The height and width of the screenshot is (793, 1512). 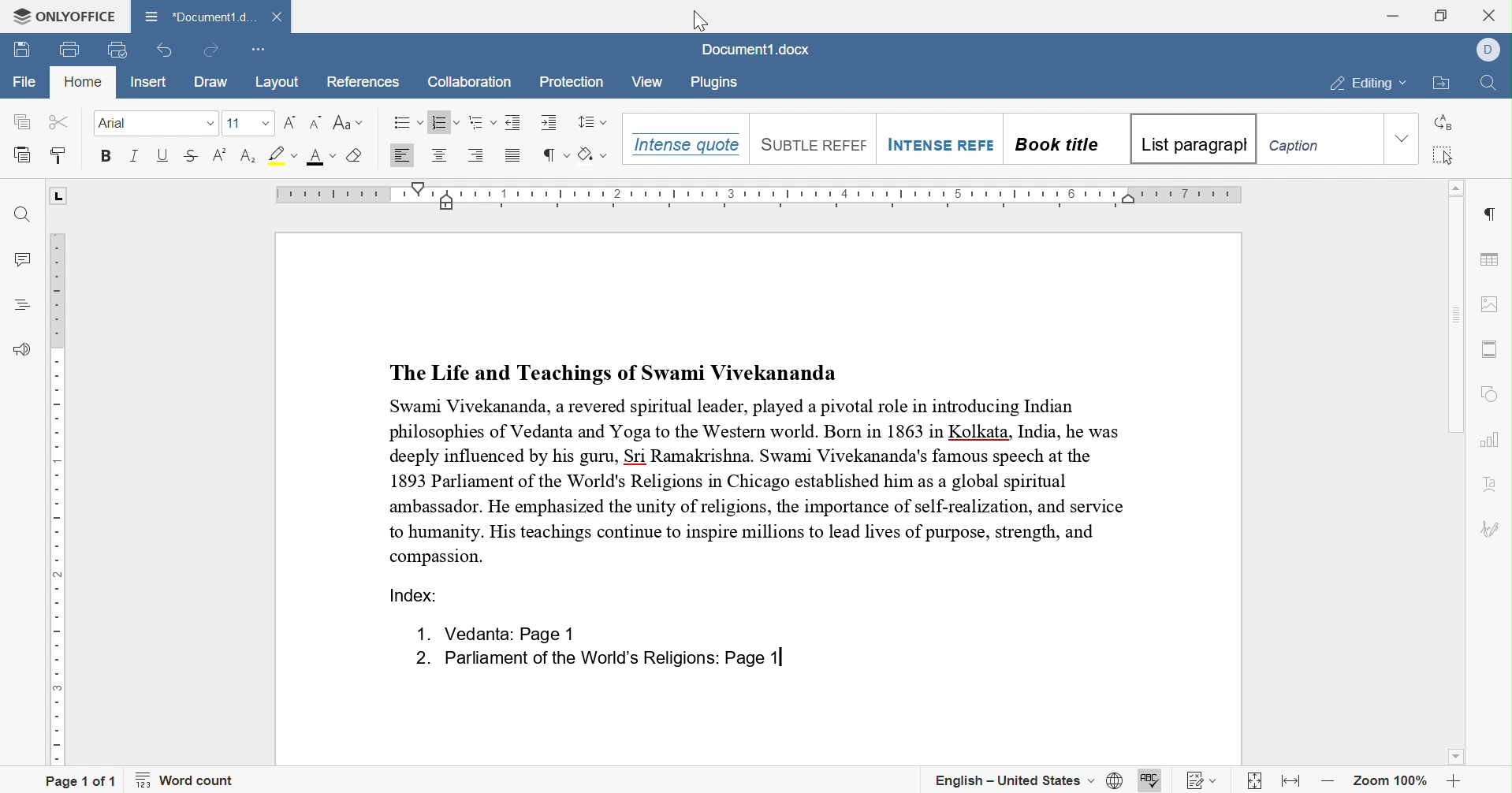 I want to click on drop down, so click(x=266, y=125).